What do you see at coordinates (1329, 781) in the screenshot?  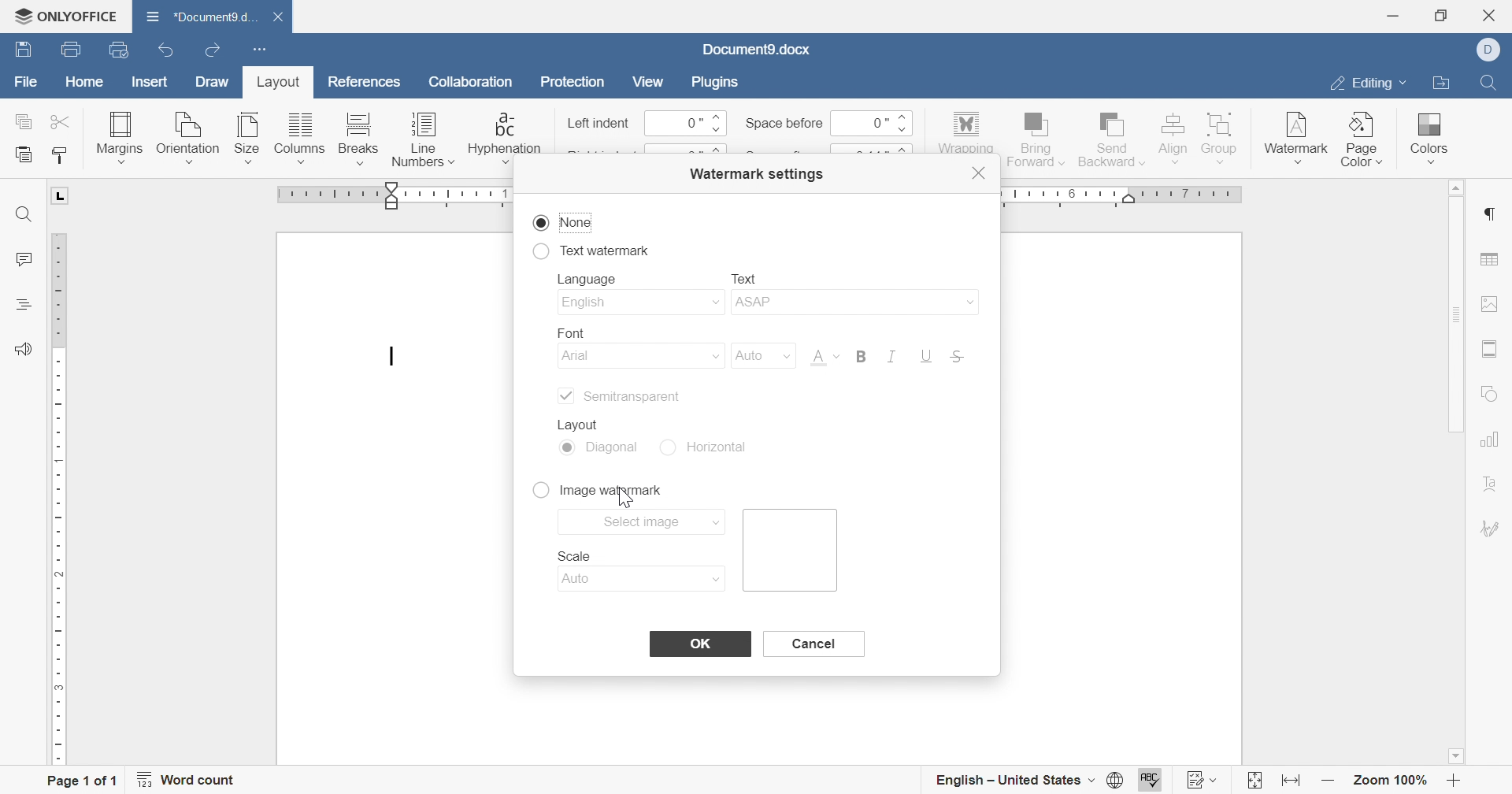 I see `zoom out` at bounding box center [1329, 781].